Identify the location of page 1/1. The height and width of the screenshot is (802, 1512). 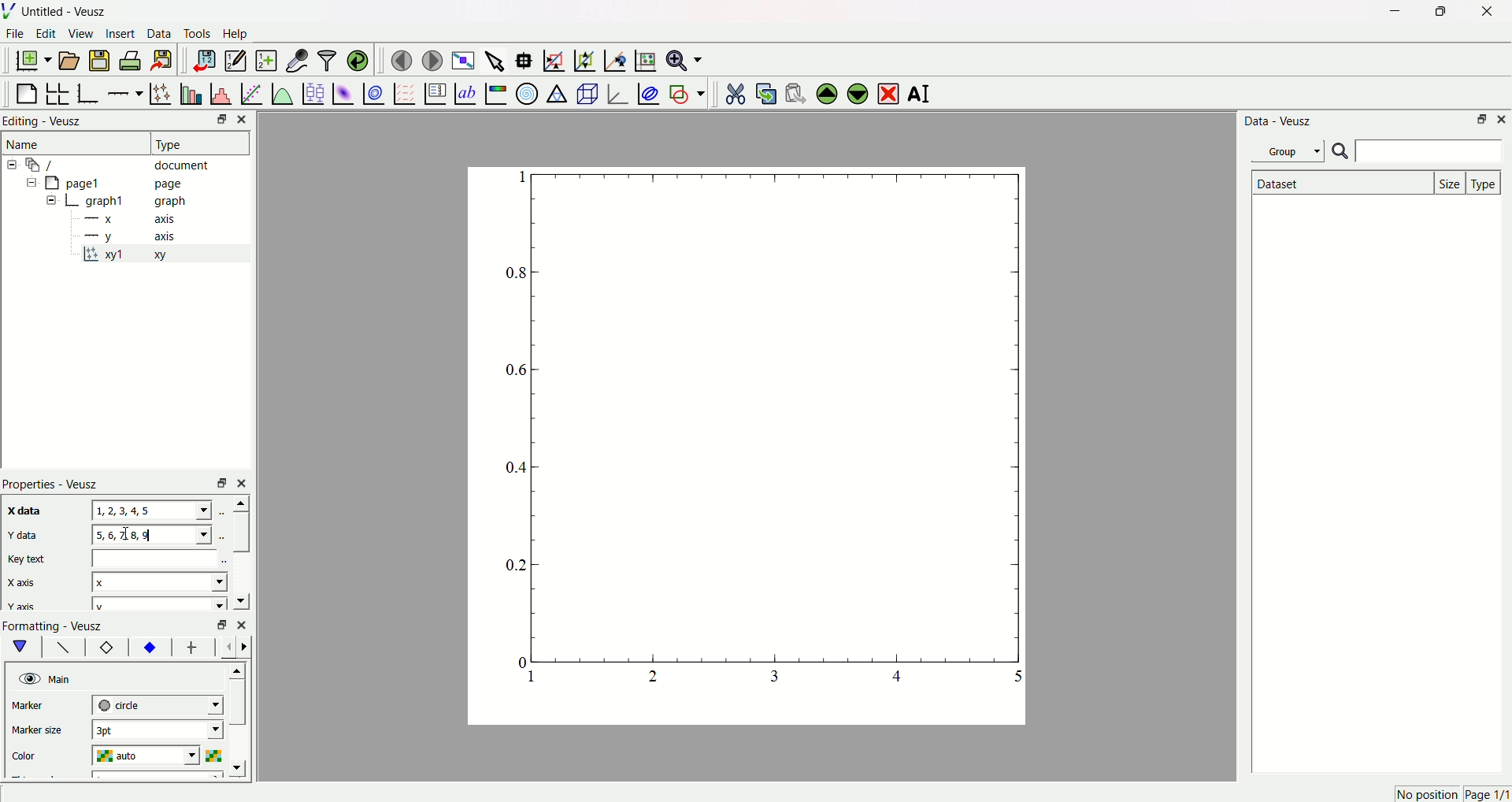
(1487, 795).